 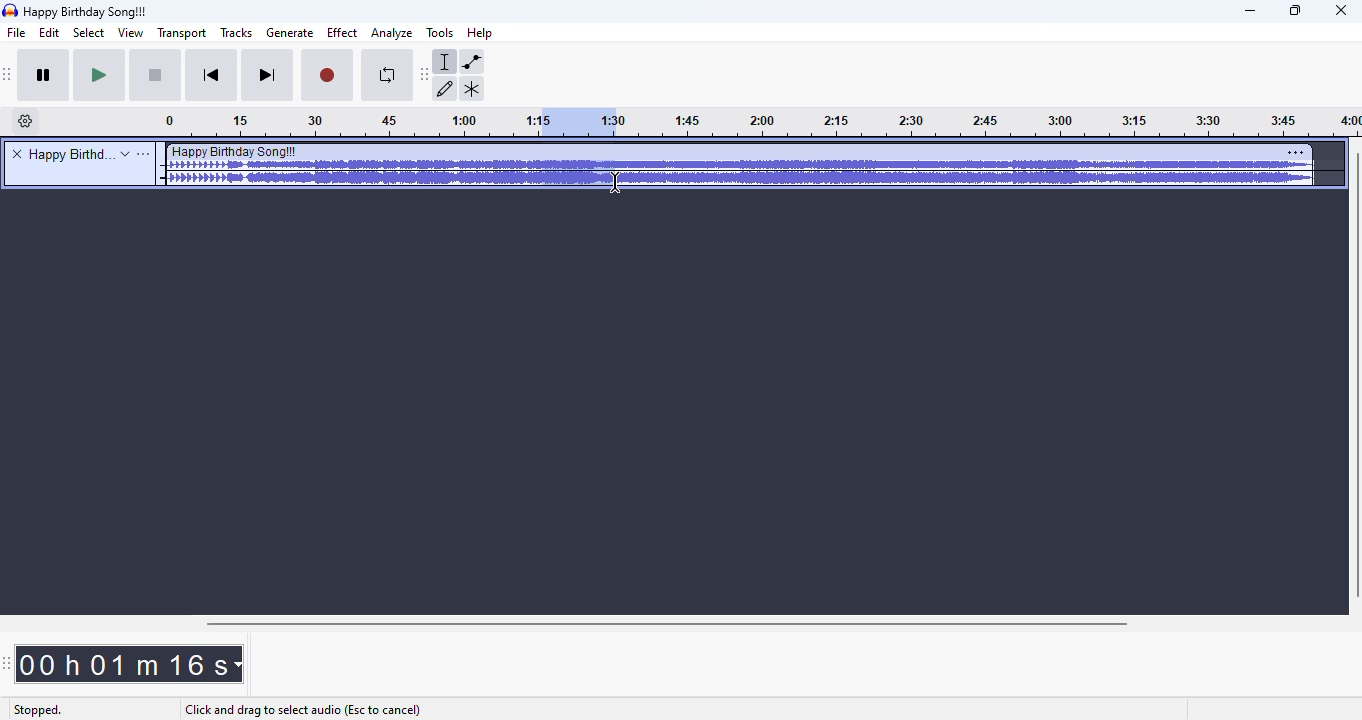 What do you see at coordinates (384, 77) in the screenshot?
I see `enable looping` at bounding box center [384, 77].